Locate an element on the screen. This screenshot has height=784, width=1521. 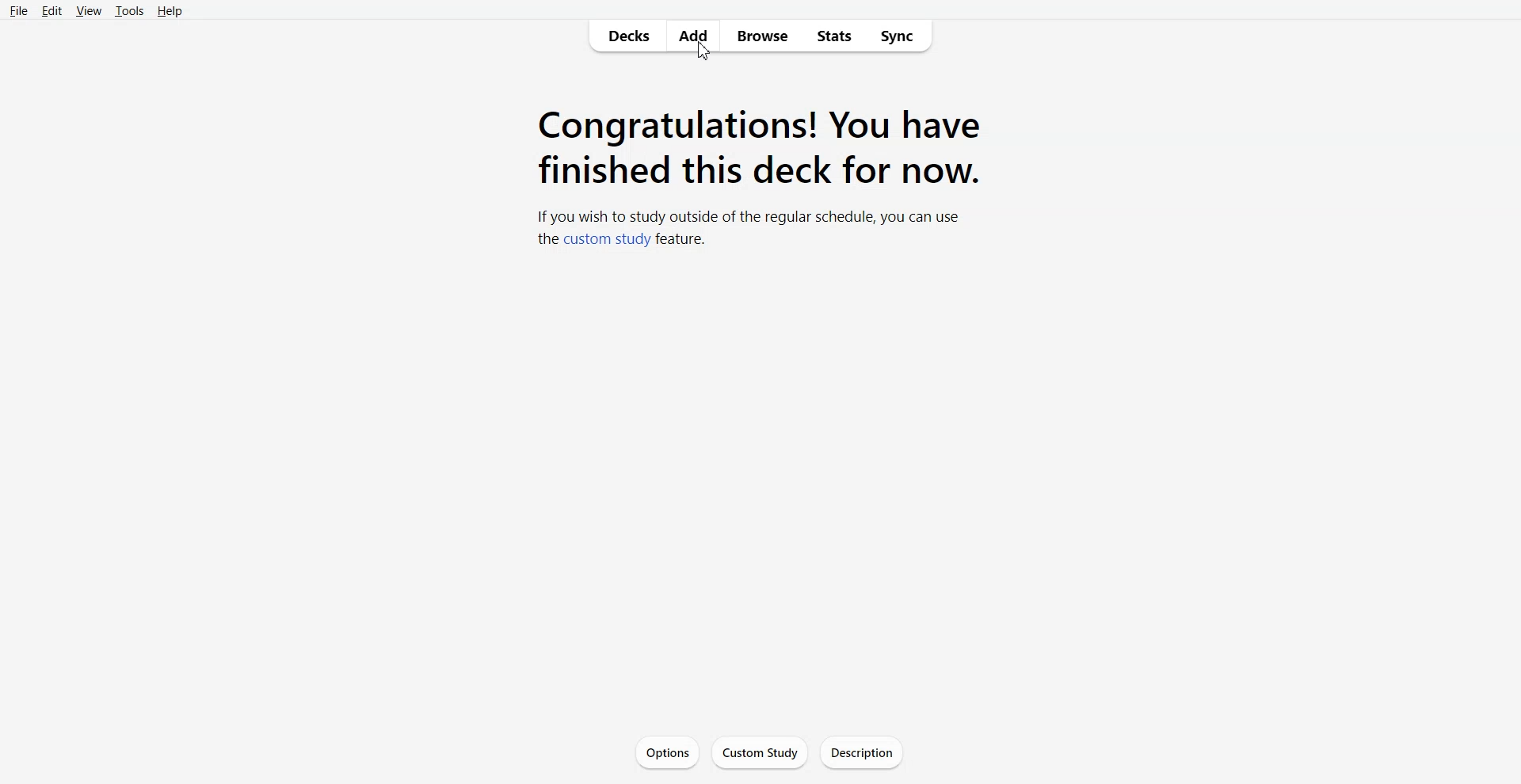
Description is located at coordinates (859, 752).